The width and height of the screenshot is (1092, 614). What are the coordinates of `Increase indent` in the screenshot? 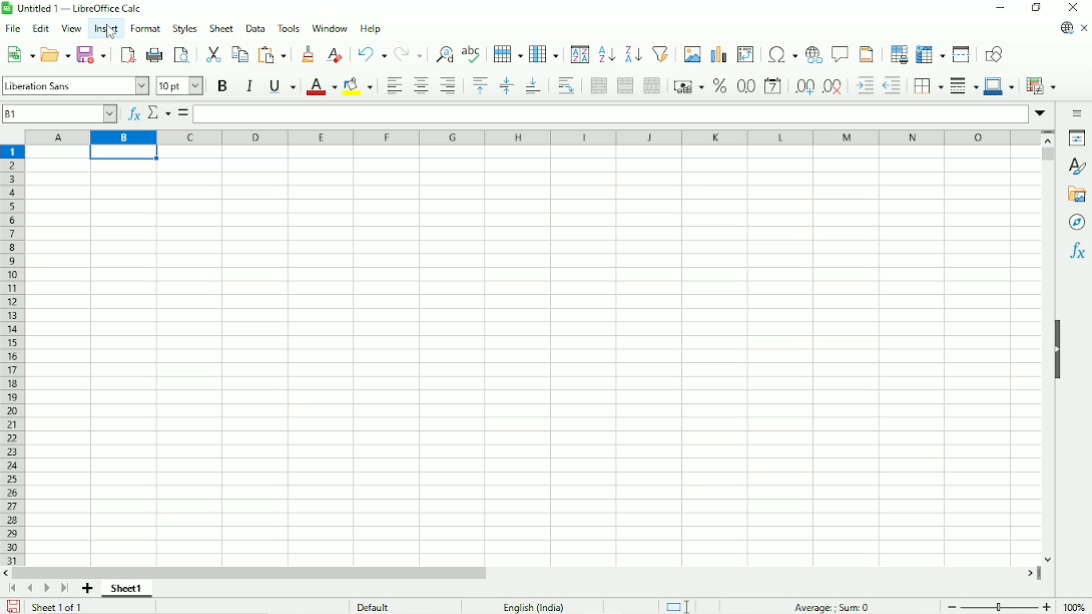 It's located at (863, 85).